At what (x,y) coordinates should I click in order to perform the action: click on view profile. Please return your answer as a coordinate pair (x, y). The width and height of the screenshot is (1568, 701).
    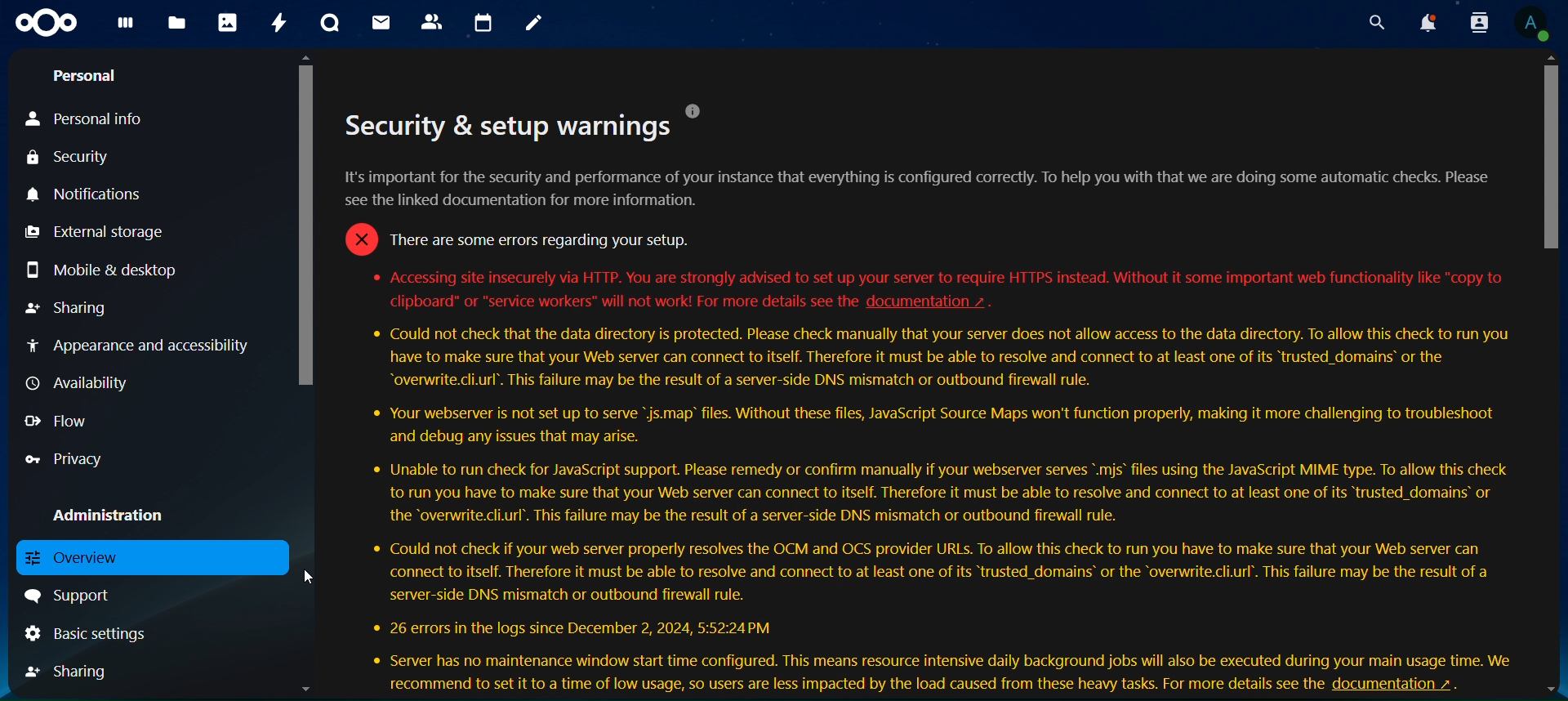
    Looking at the image, I should click on (1530, 25).